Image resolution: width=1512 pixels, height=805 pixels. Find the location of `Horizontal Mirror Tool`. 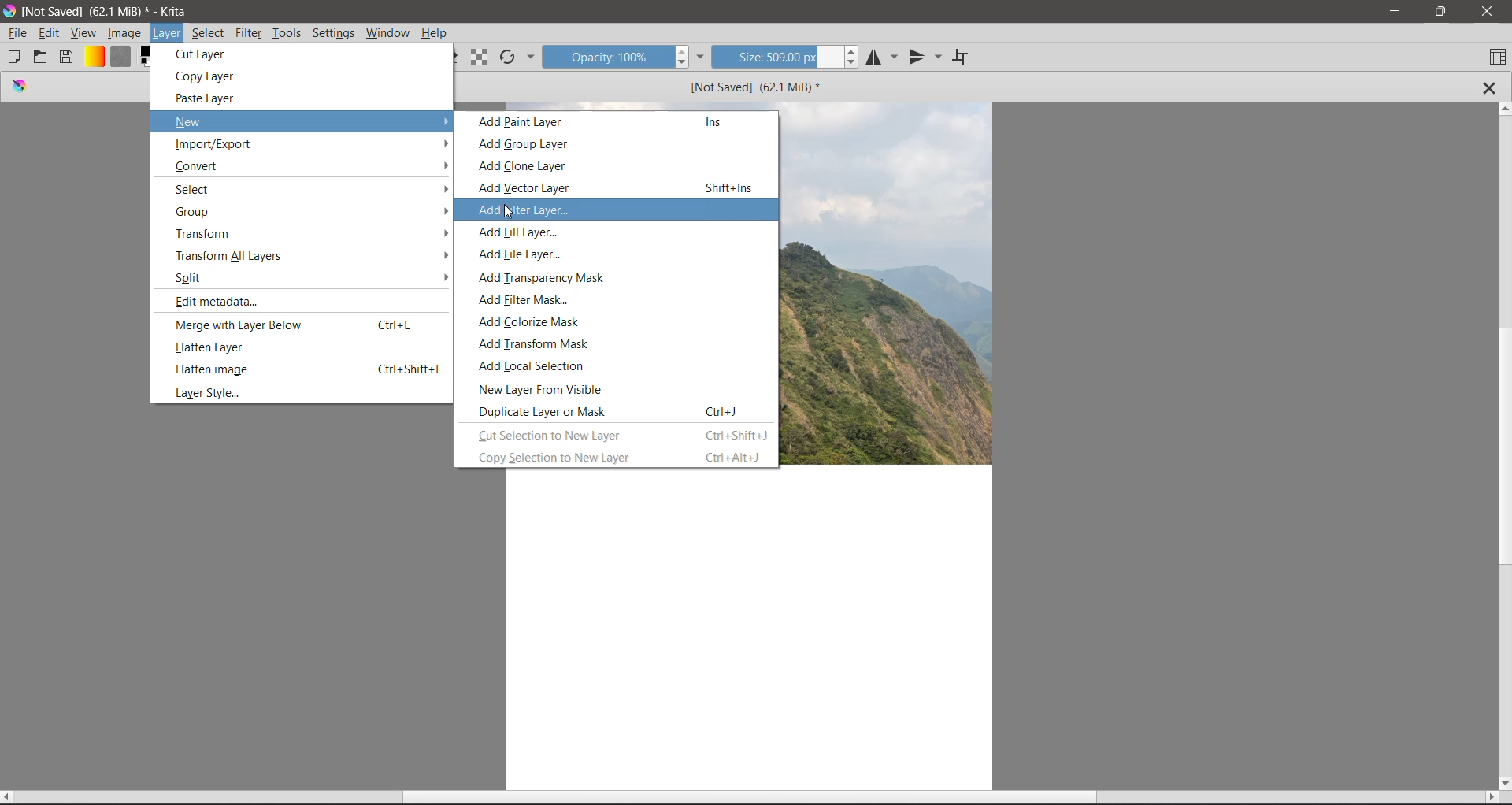

Horizontal Mirror Tool is located at coordinates (882, 58).